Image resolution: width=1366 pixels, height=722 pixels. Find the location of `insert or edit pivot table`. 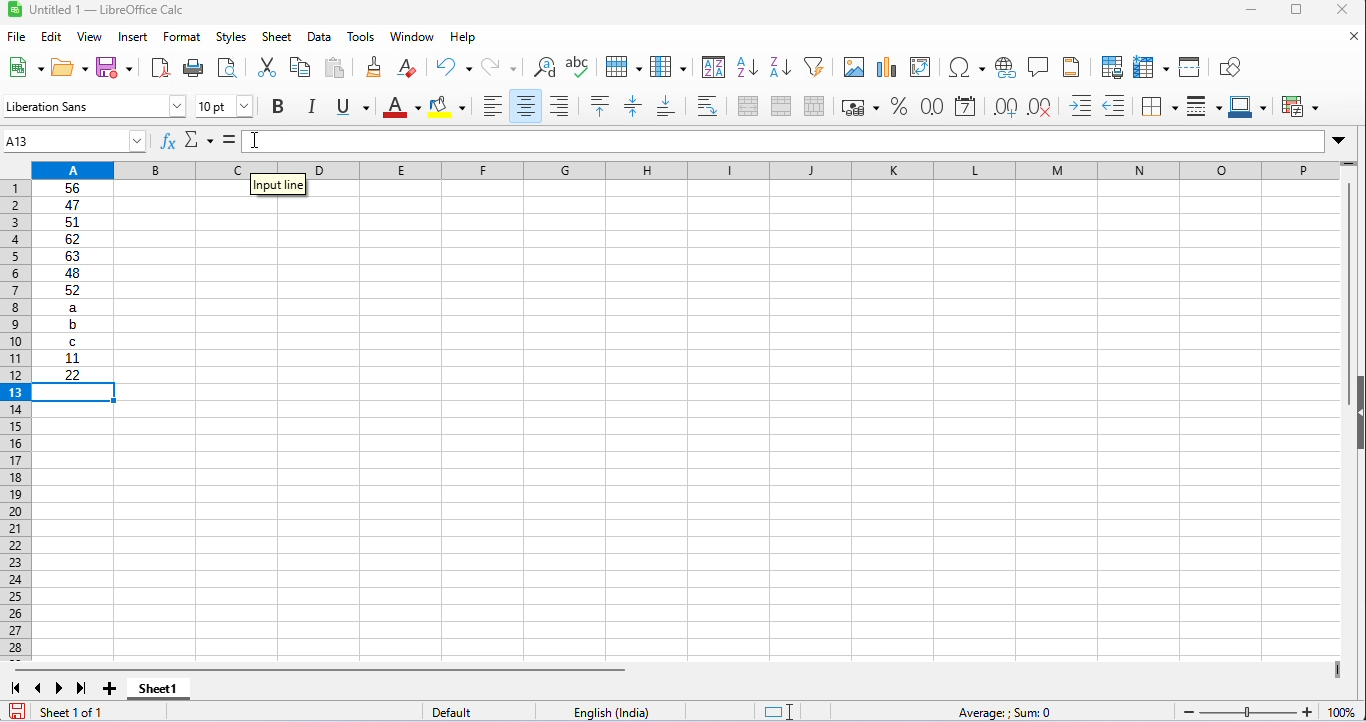

insert or edit pivot table is located at coordinates (922, 67).